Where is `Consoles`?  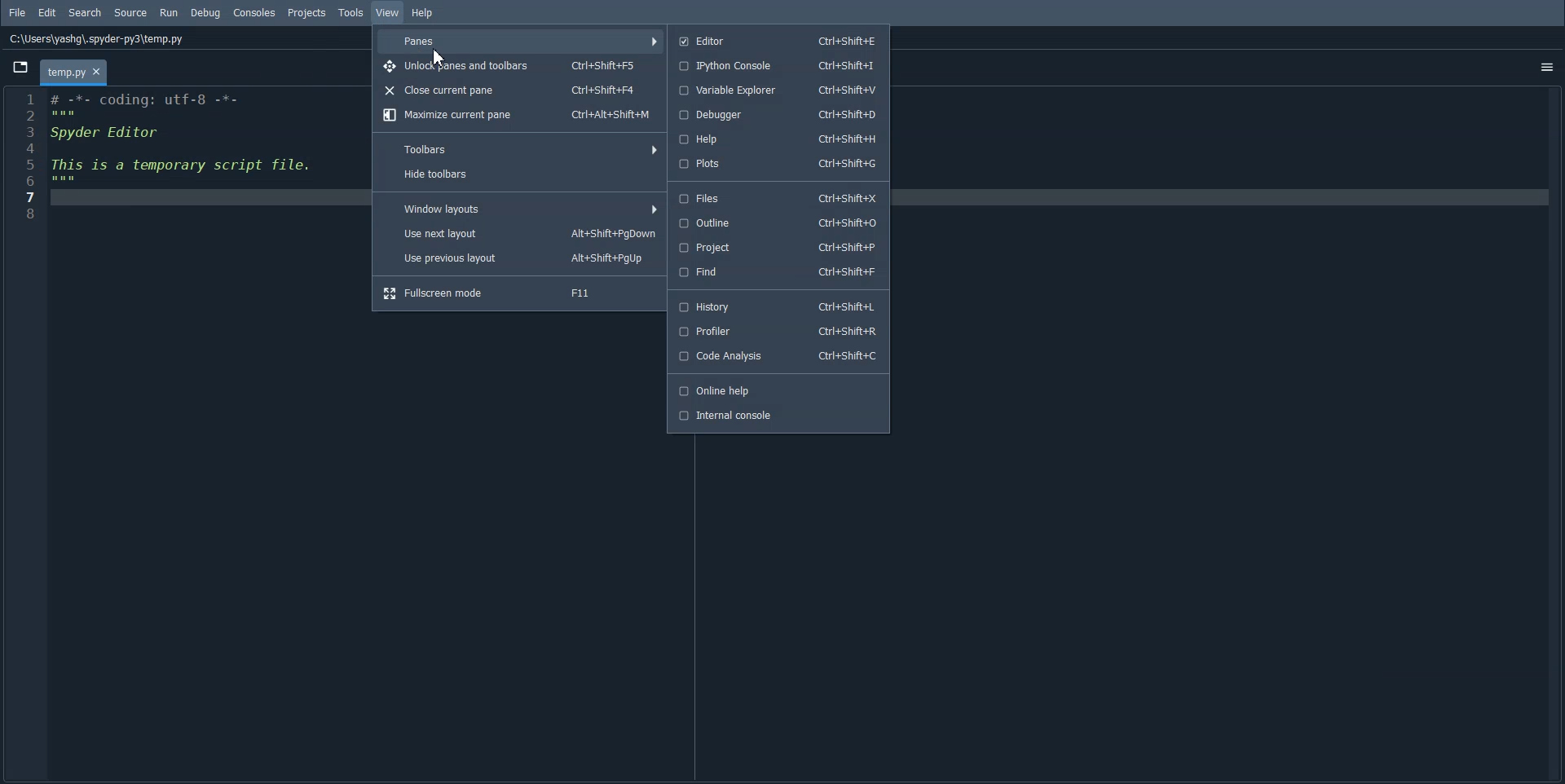 Consoles is located at coordinates (254, 13).